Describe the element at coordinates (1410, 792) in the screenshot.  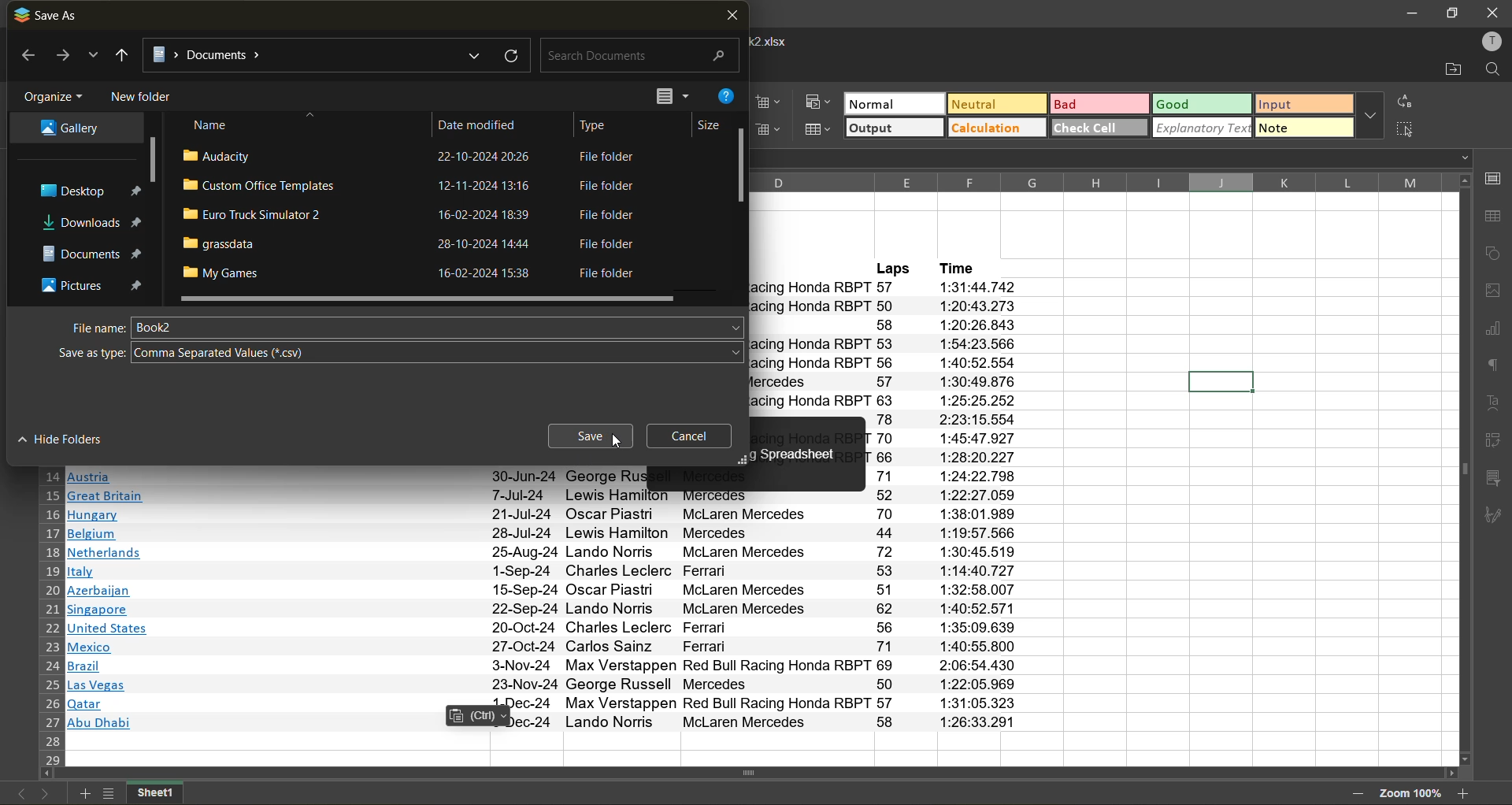
I see `zoom factor` at that location.